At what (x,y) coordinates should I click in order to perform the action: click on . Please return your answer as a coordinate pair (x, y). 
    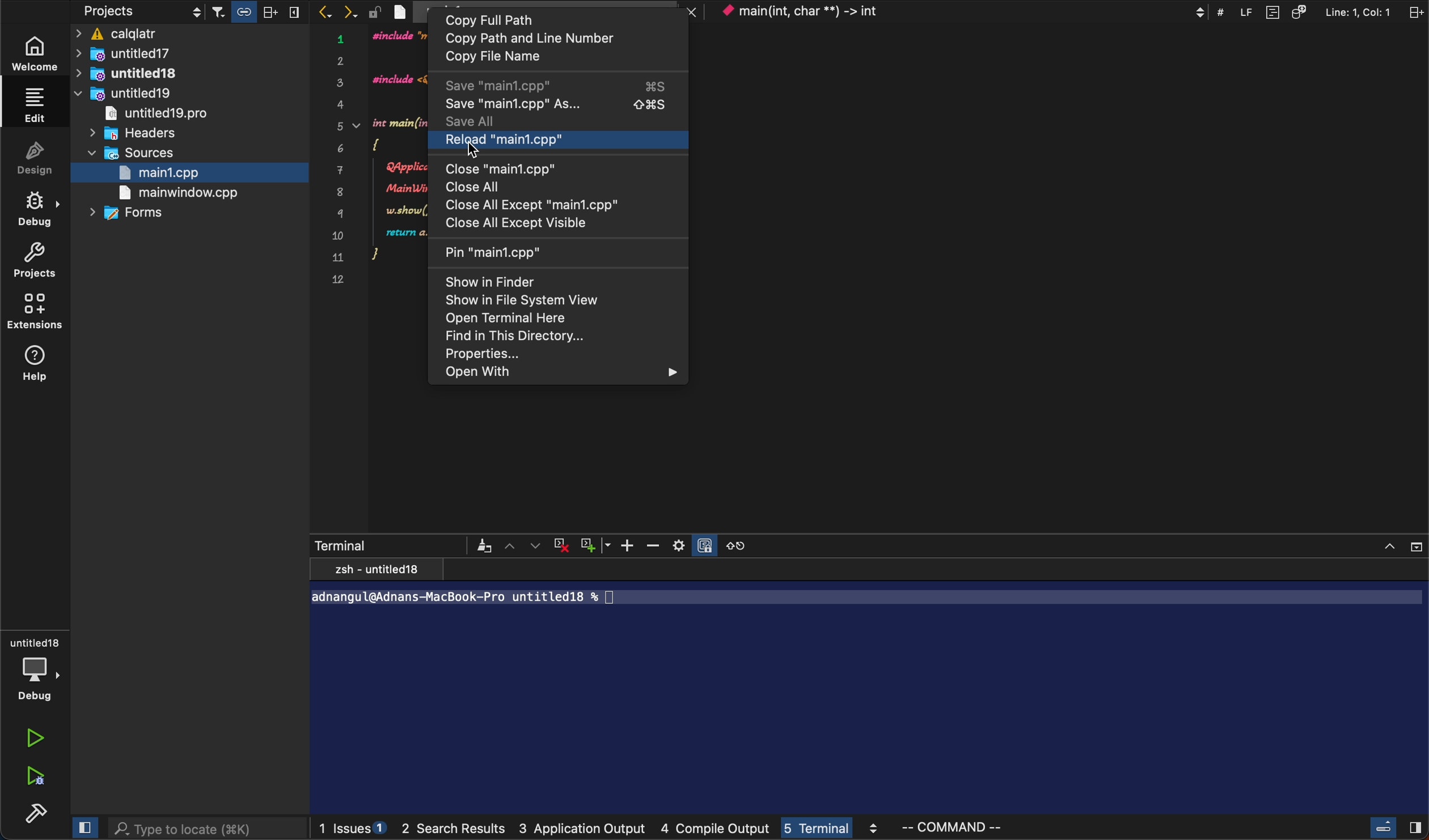
    Looking at the image, I should click on (1314, 11).